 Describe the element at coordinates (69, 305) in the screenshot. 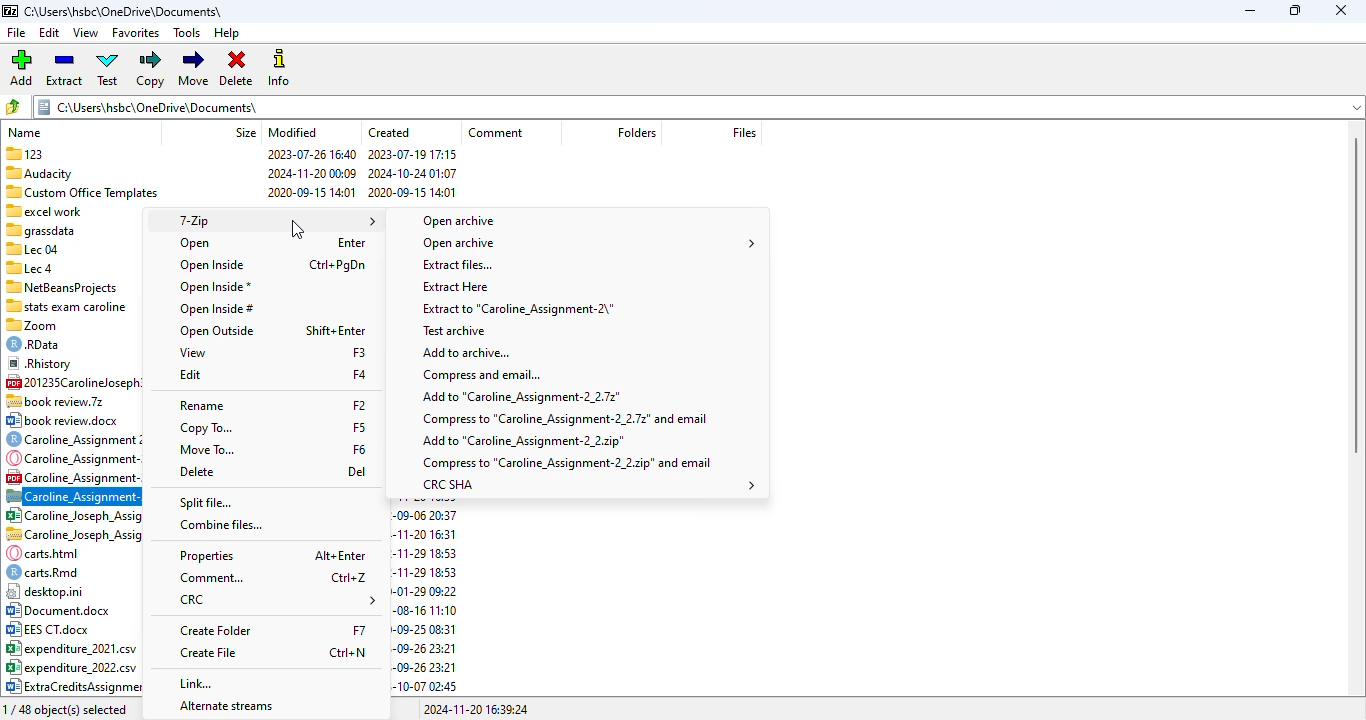

I see `1 stats exam caroline 2022-11-03 02:13 2022-11-03 02:12` at that location.